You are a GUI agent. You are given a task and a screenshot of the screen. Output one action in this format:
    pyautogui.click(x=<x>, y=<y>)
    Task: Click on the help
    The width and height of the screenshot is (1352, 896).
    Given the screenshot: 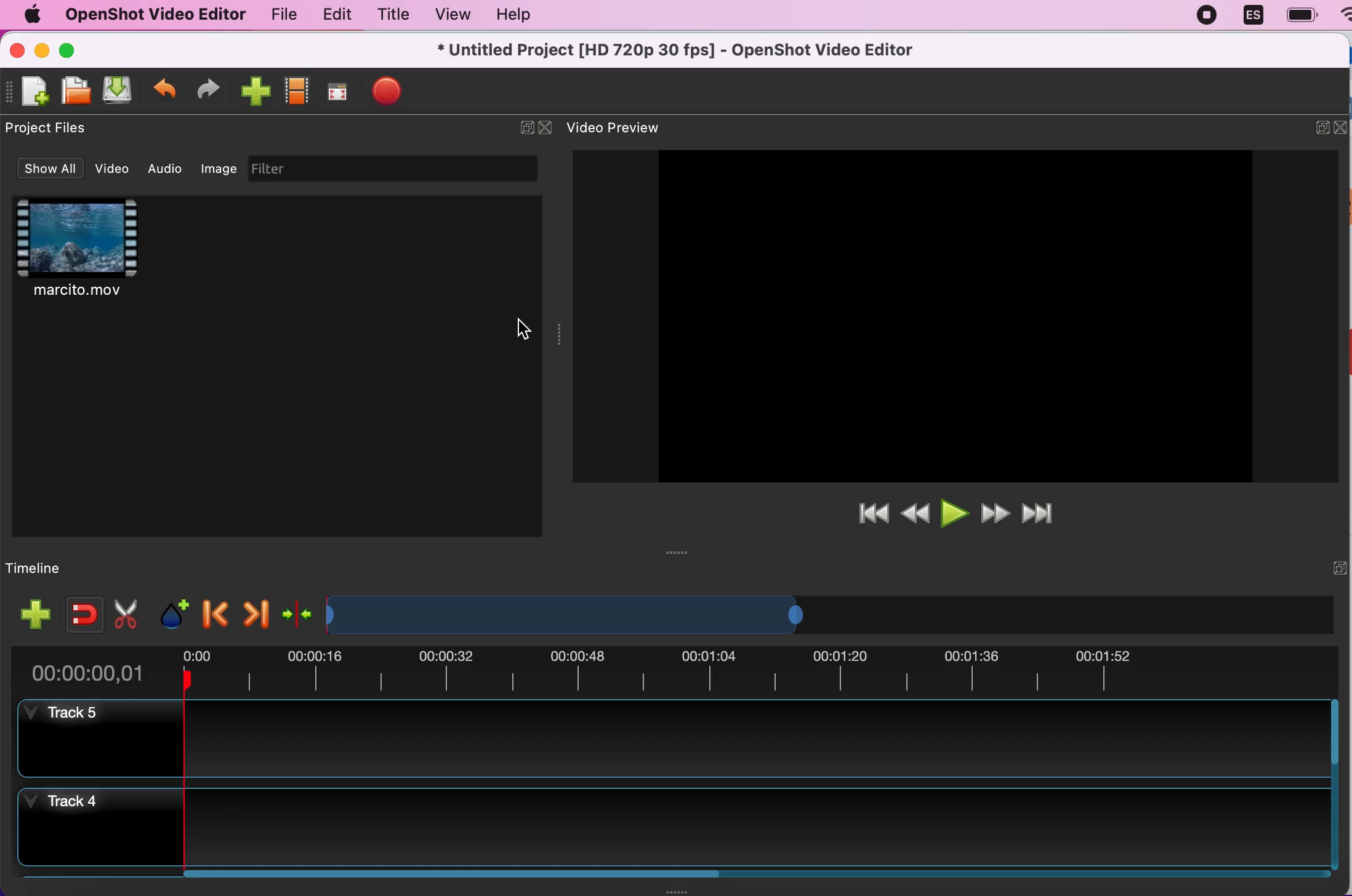 What is the action you would take?
    pyautogui.click(x=513, y=14)
    